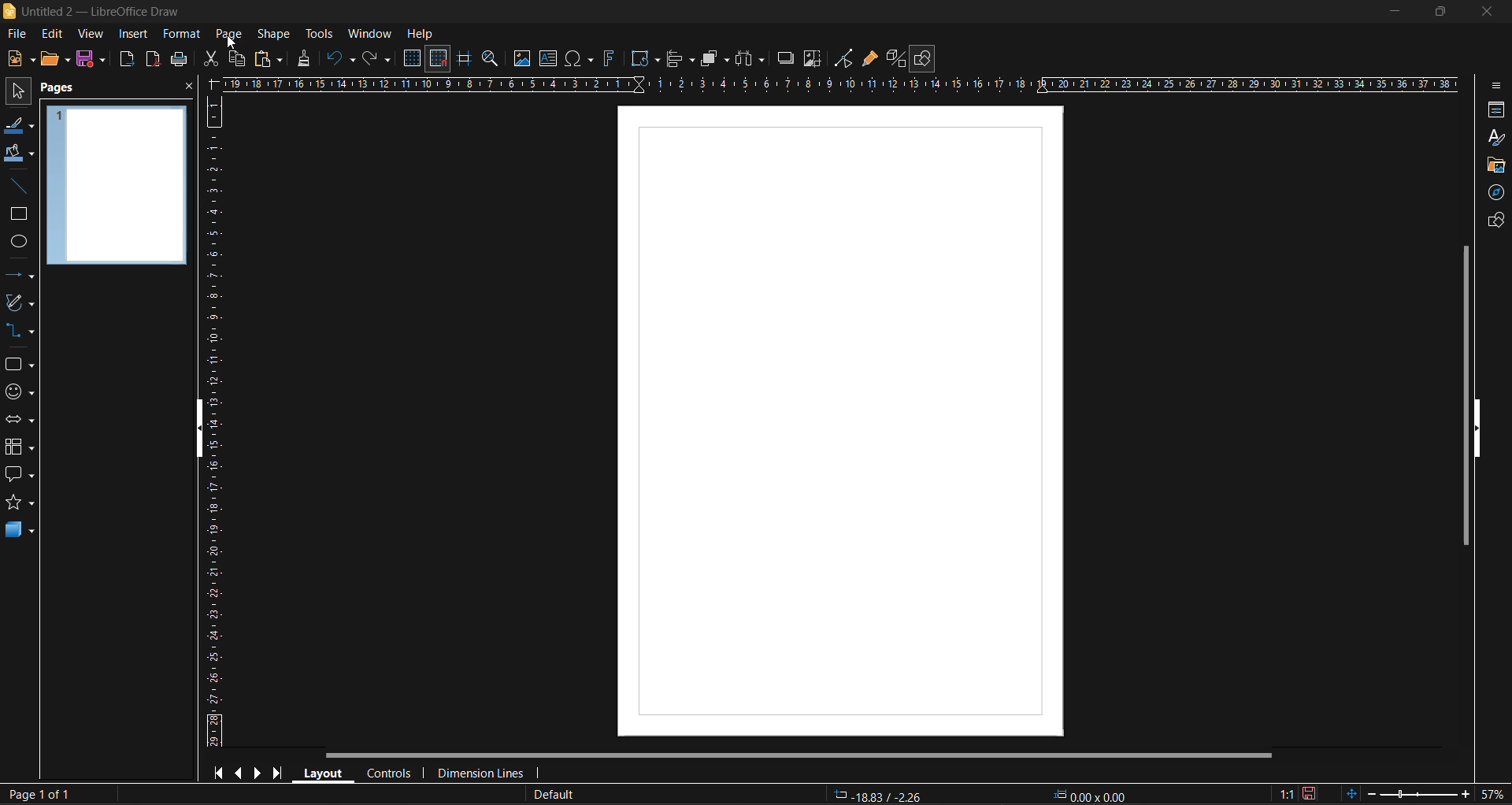 The height and width of the screenshot is (805, 1512). I want to click on undo, so click(341, 61).